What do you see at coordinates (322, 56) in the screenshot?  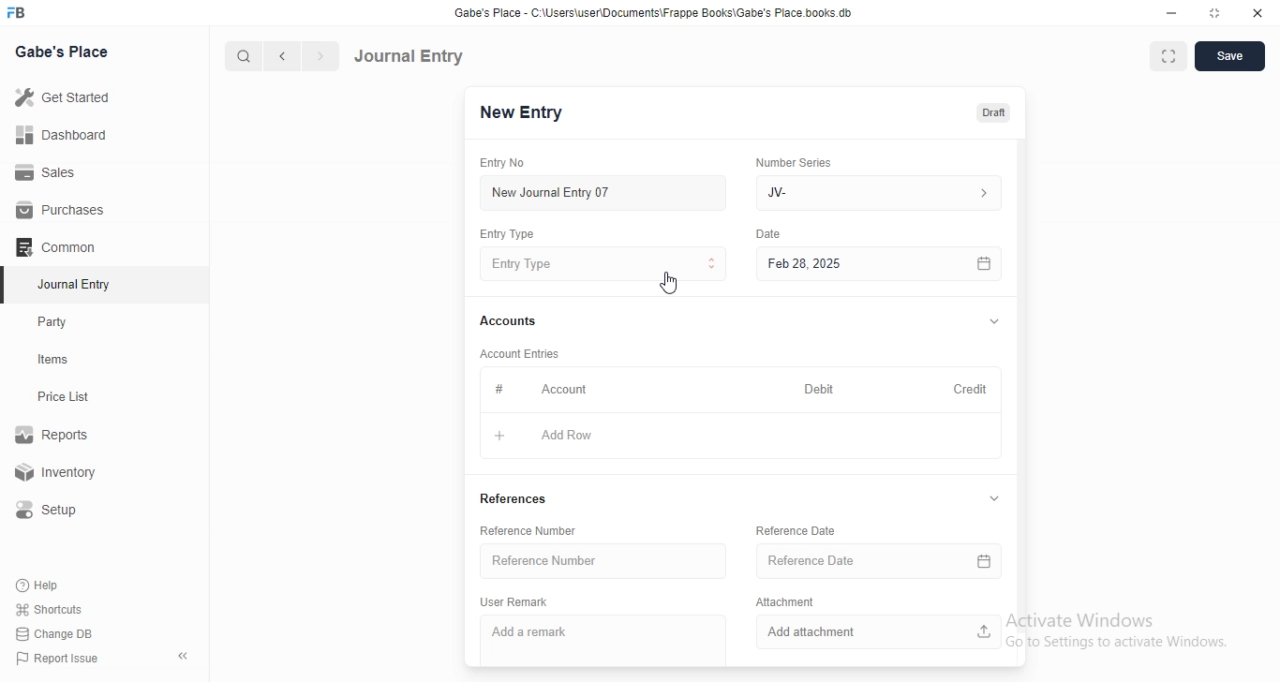 I see `forward` at bounding box center [322, 56].